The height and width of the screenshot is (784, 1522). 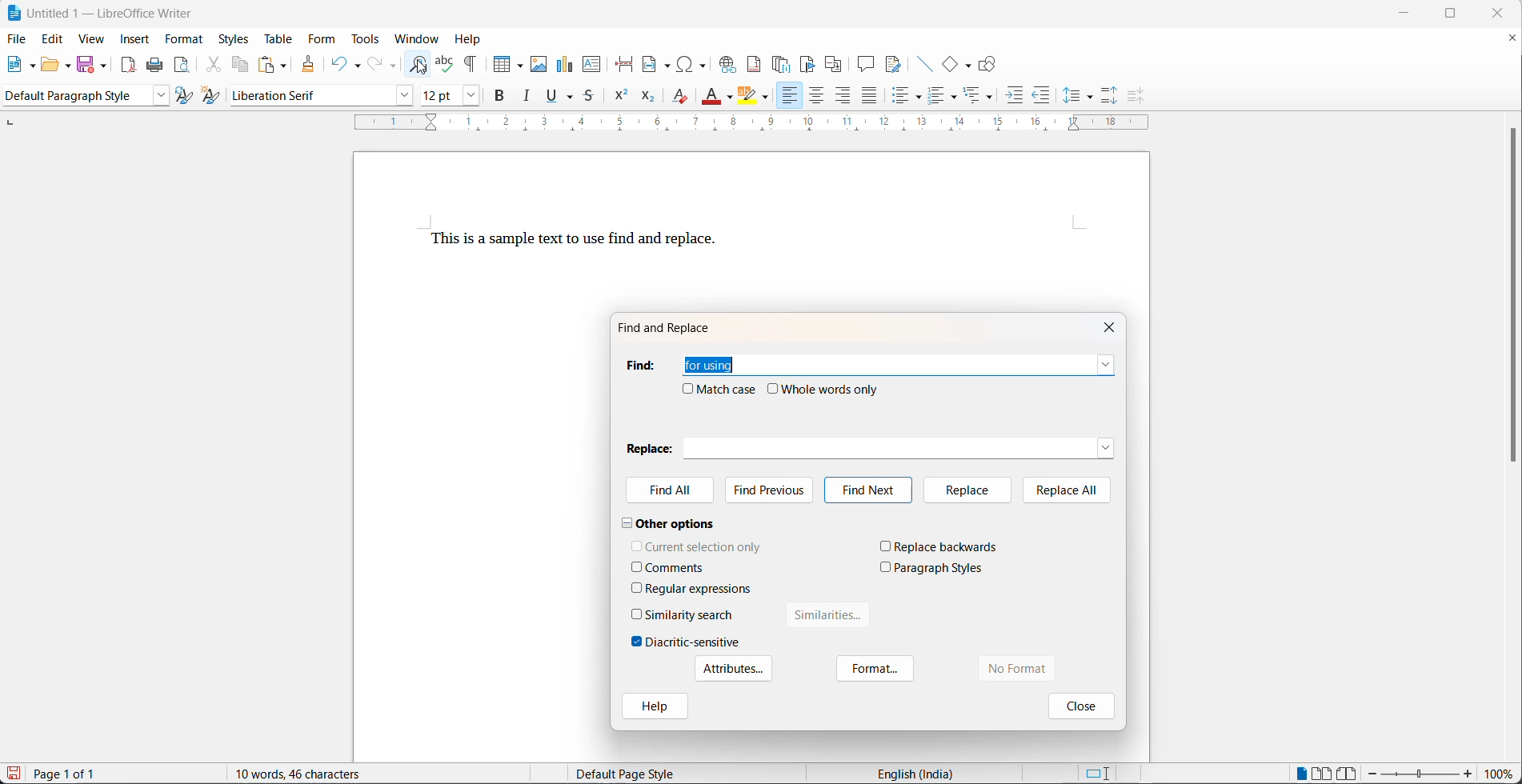 I want to click on find previous, so click(x=773, y=488).